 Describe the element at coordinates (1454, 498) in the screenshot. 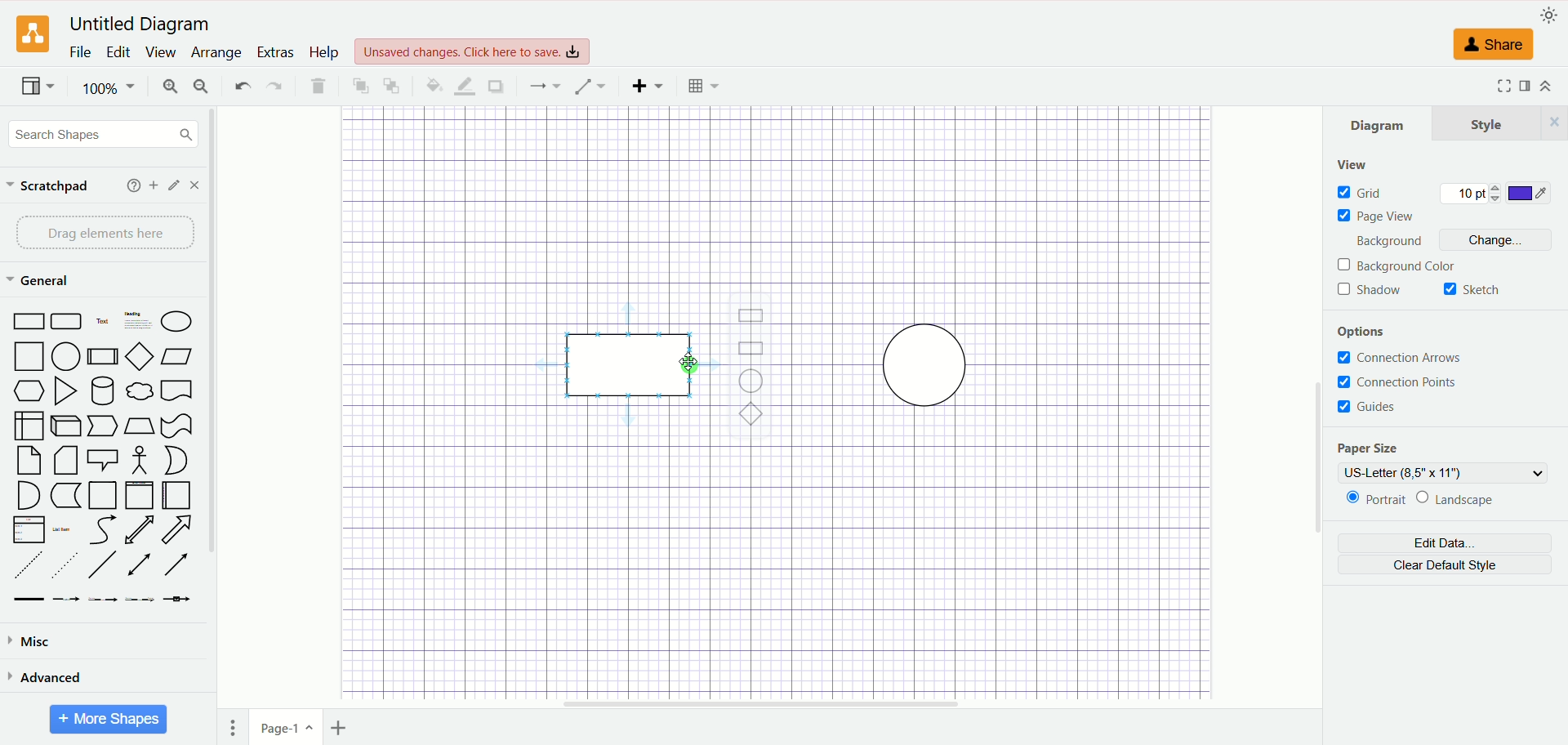

I see `landscape` at that location.